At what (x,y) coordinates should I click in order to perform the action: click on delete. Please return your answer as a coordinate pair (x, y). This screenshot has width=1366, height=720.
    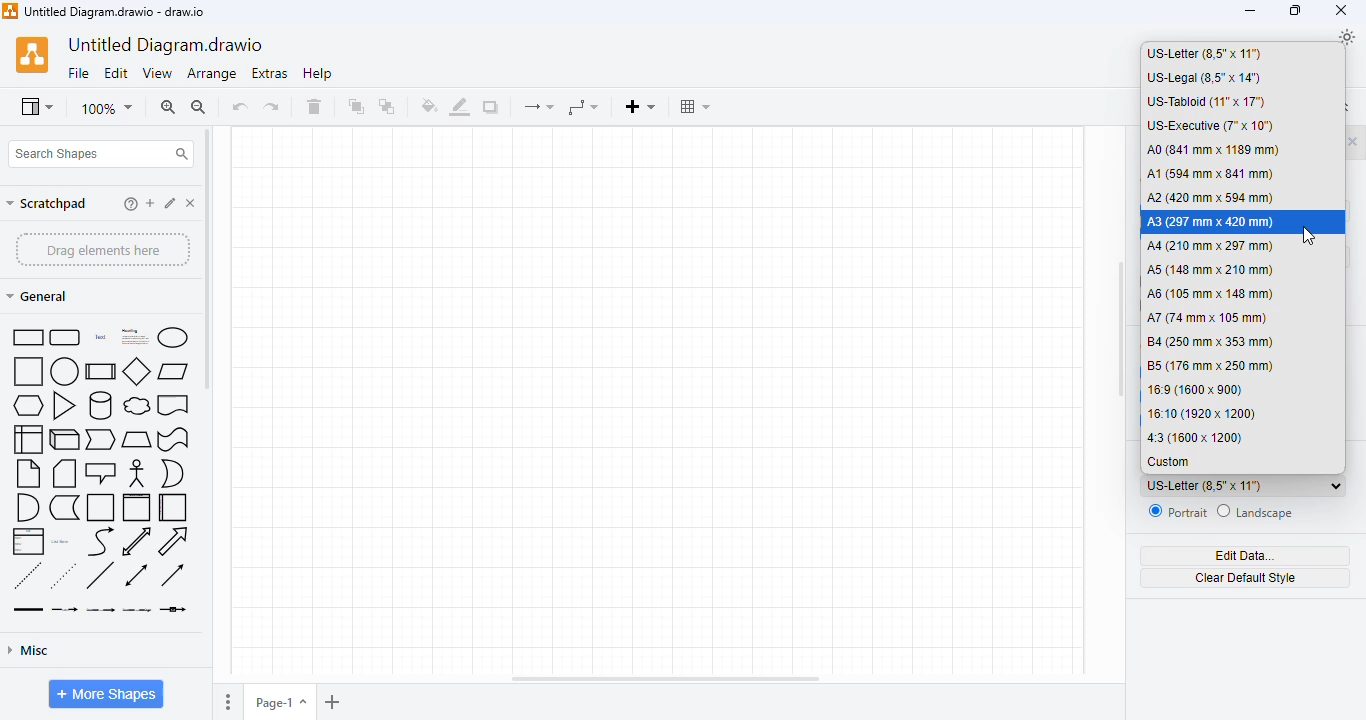
    Looking at the image, I should click on (191, 203).